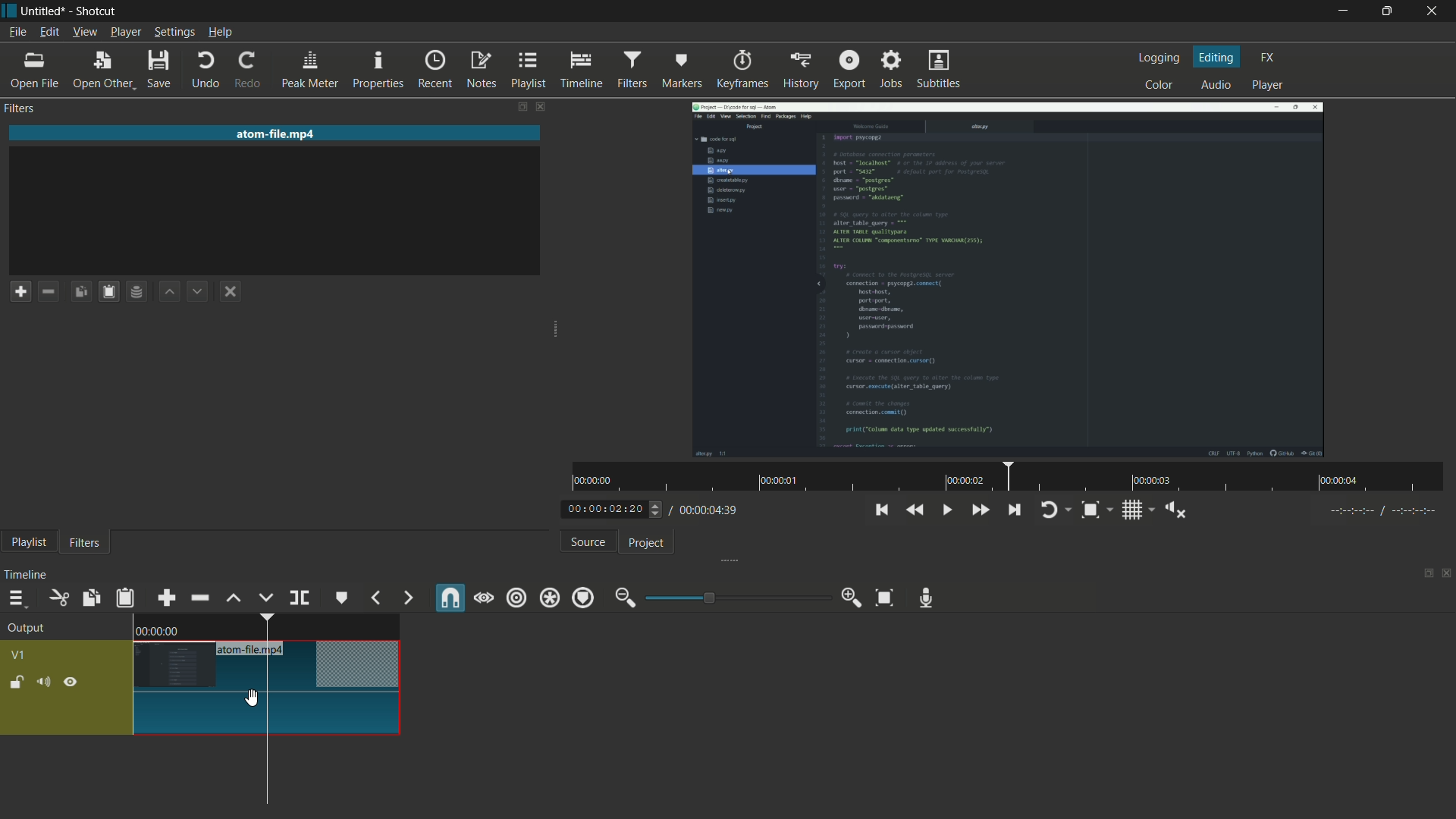 This screenshot has width=1456, height=819. Describe the element at coordinates (1014, 511) in the screenshot. I see `skip to the next point` at that location.